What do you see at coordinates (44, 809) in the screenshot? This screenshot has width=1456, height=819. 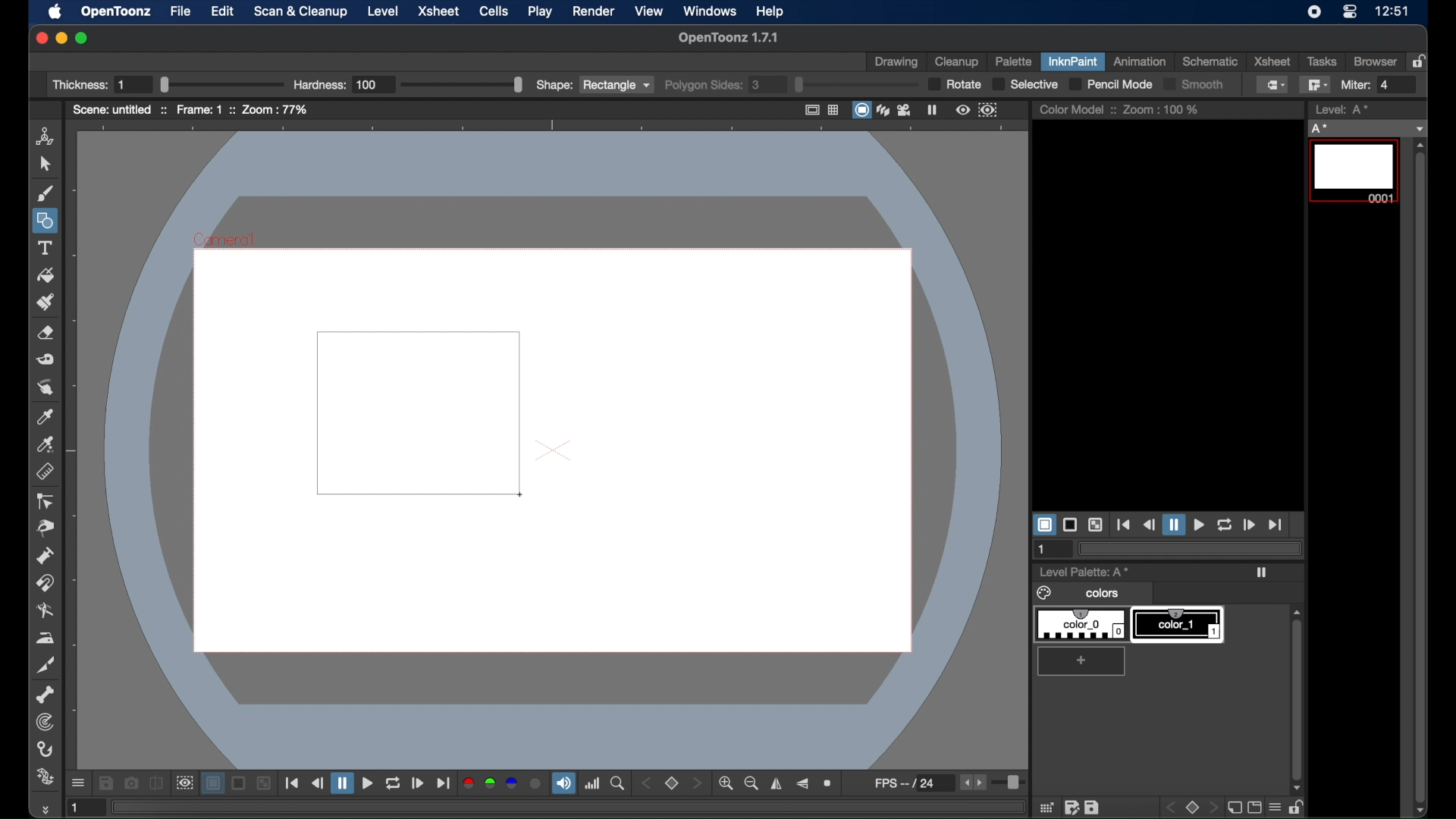 I see `more` at bounding box center [44, 809].